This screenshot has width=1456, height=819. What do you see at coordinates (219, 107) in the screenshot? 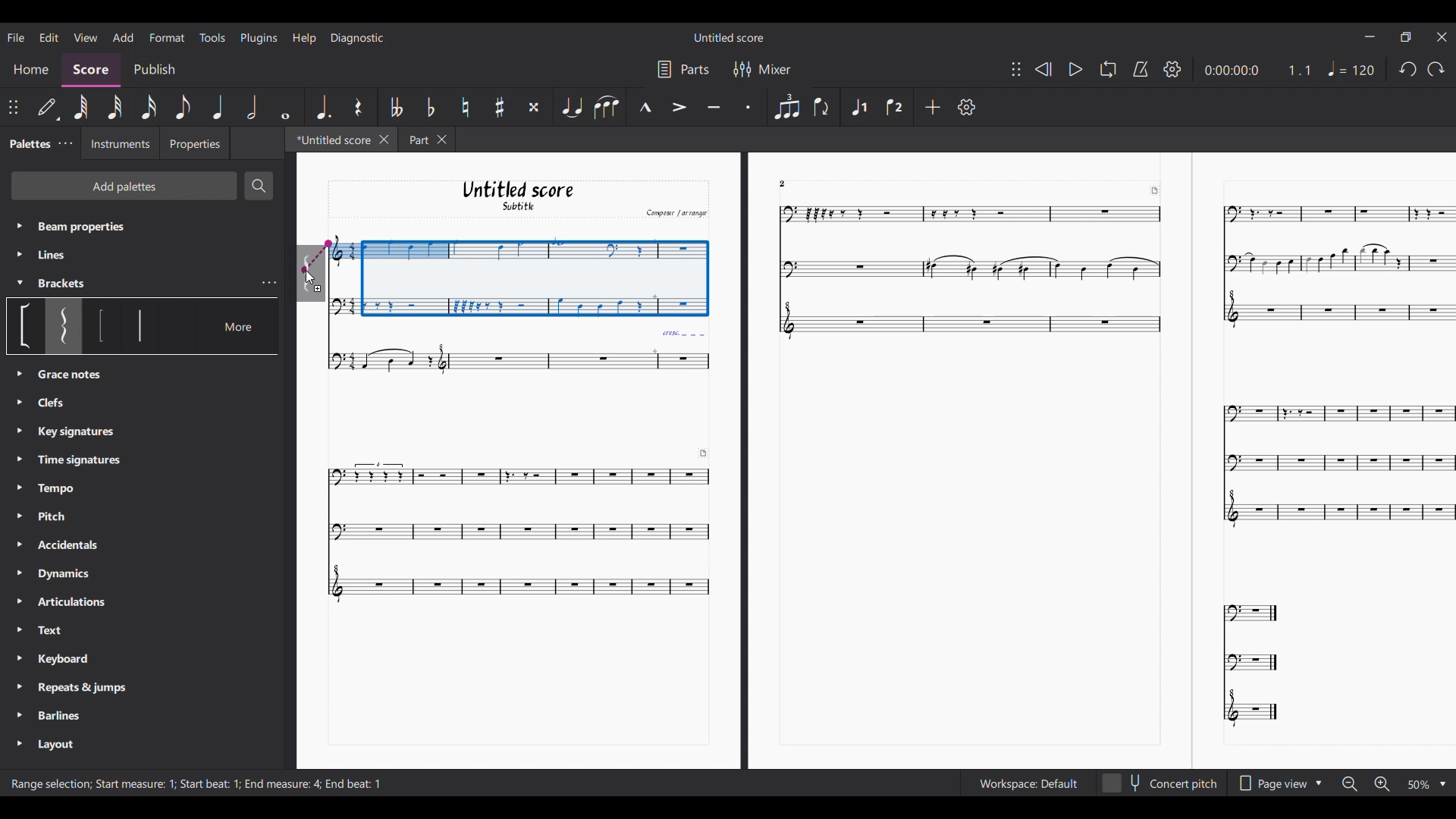
I see `Quarter note` at bounding box center [219, 107].